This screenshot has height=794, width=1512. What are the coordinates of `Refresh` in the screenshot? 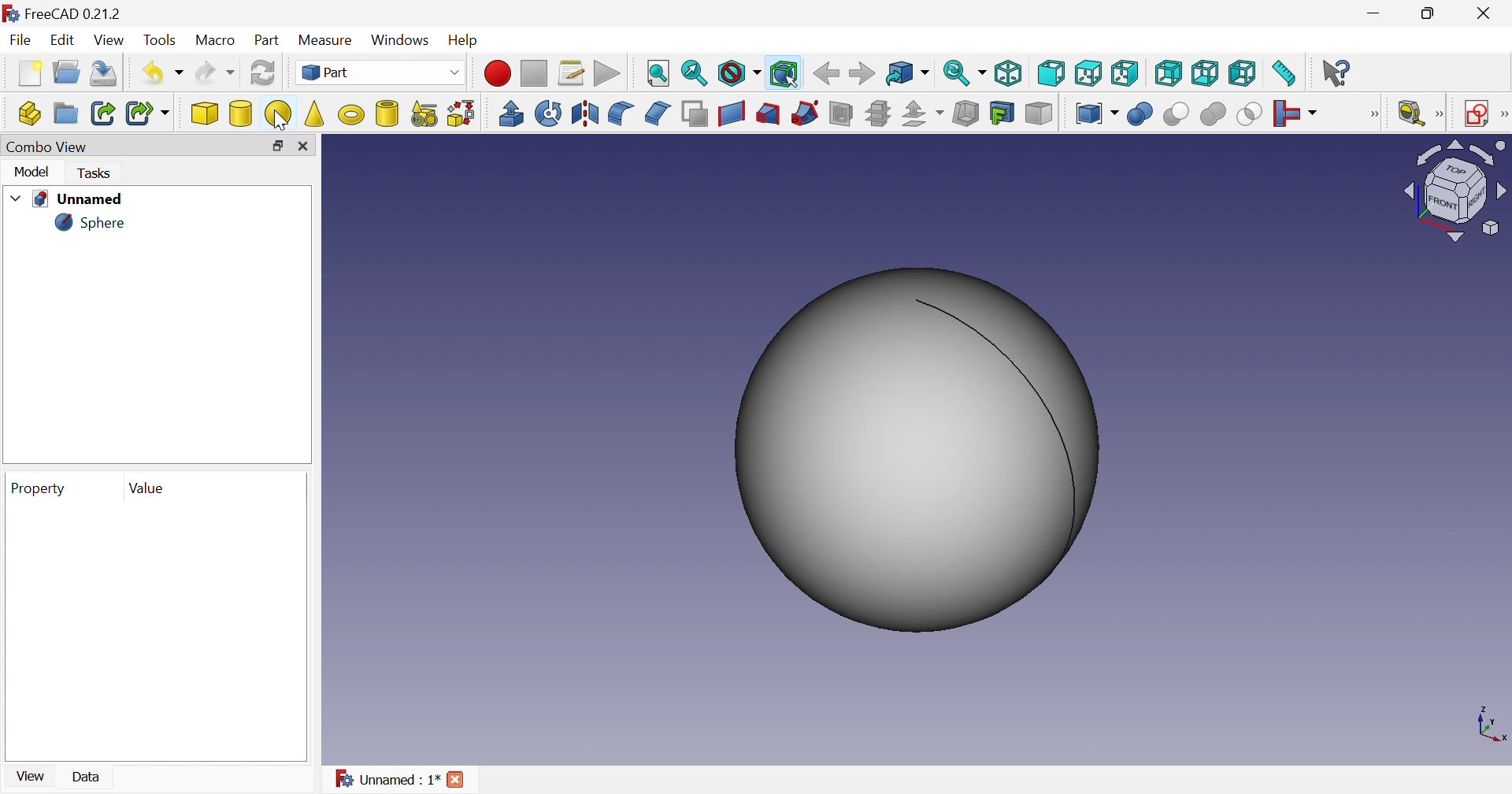 It's located at (262, 72).